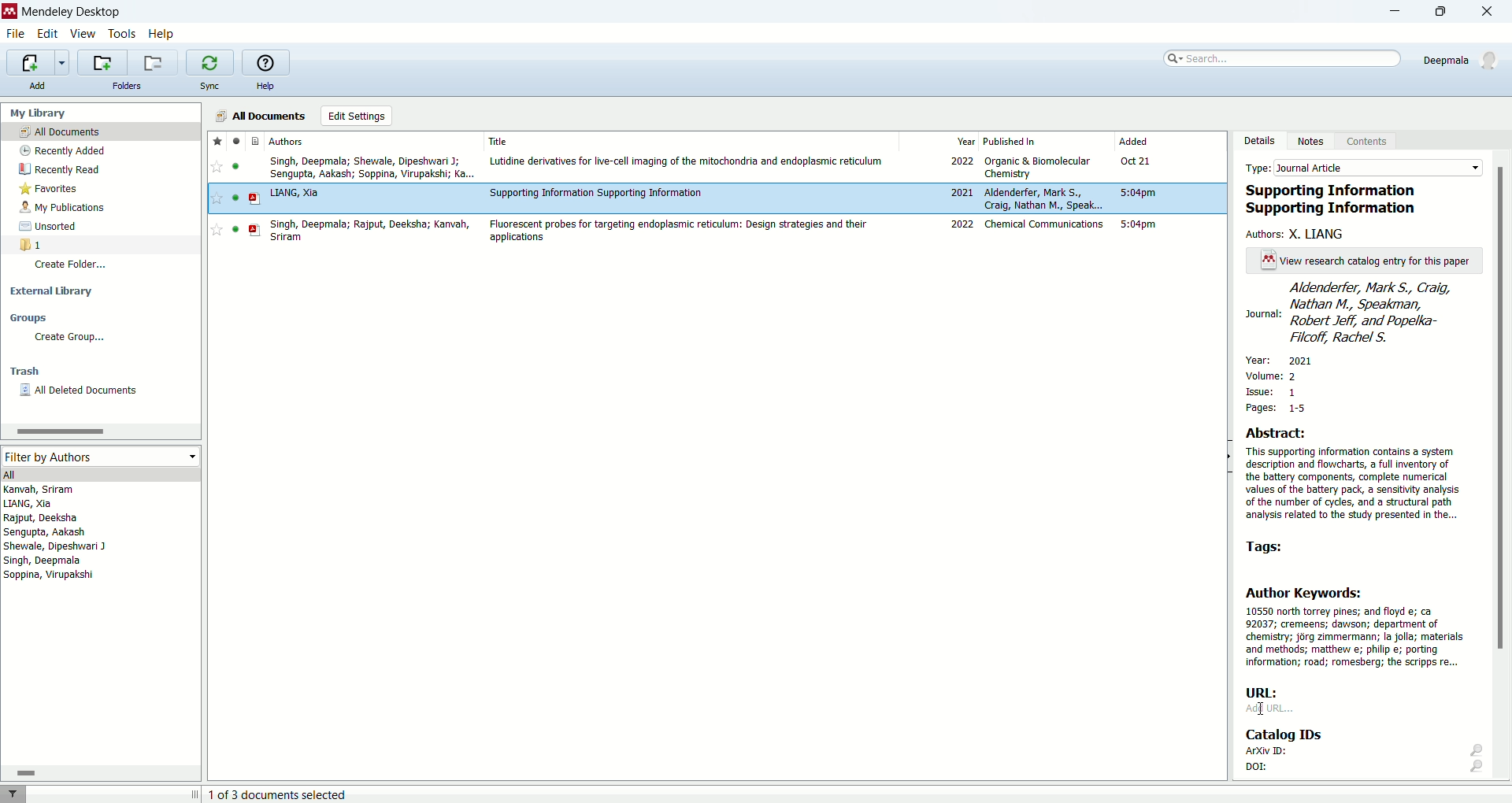 This screenshot has width=1512, height=803. What do you see at coordinates (24, 371) in the screenshot?
I see `trash` at bounding box center [24, 371].